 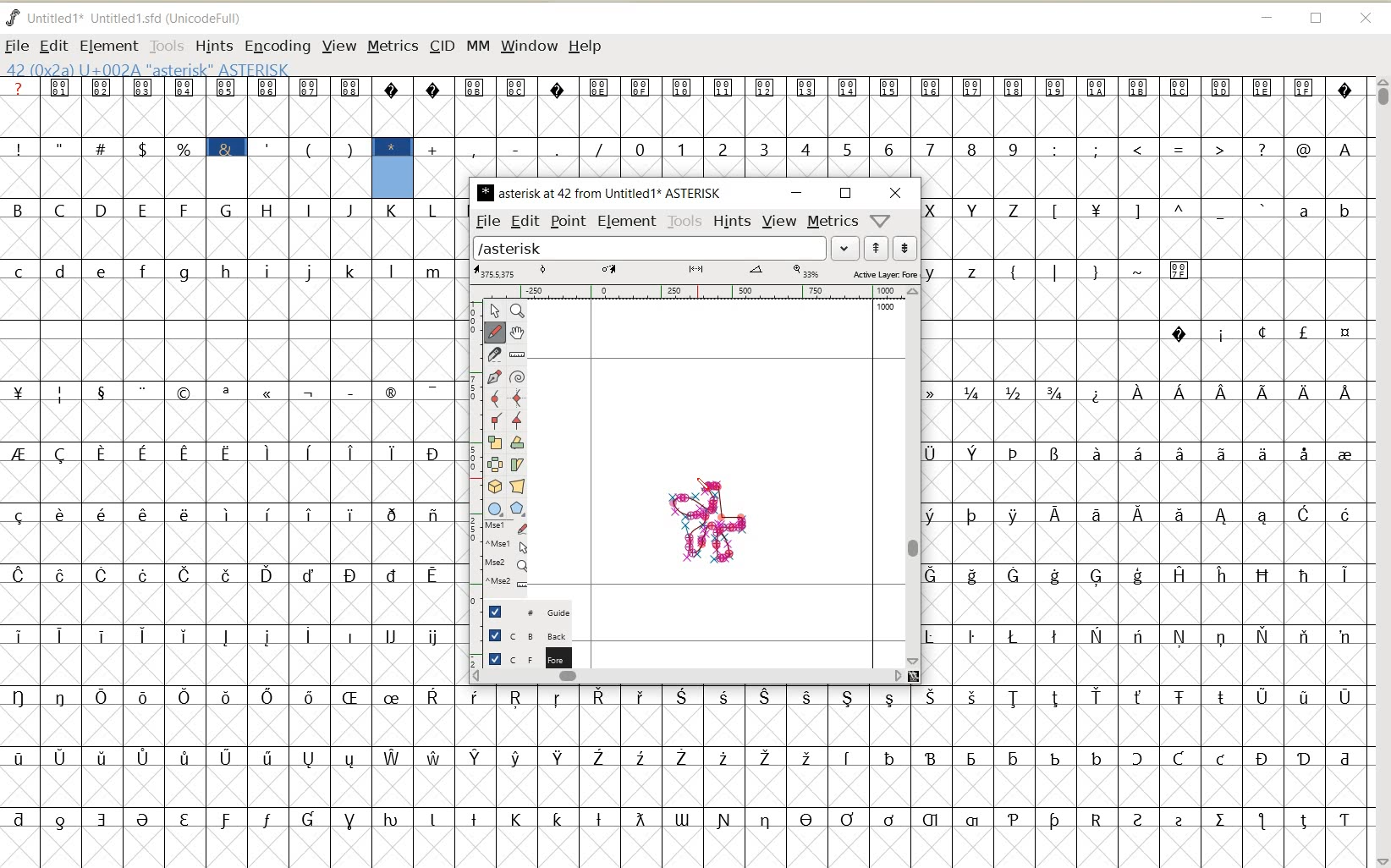 I want to click on RESTORE, so click(x=1317, y=19).